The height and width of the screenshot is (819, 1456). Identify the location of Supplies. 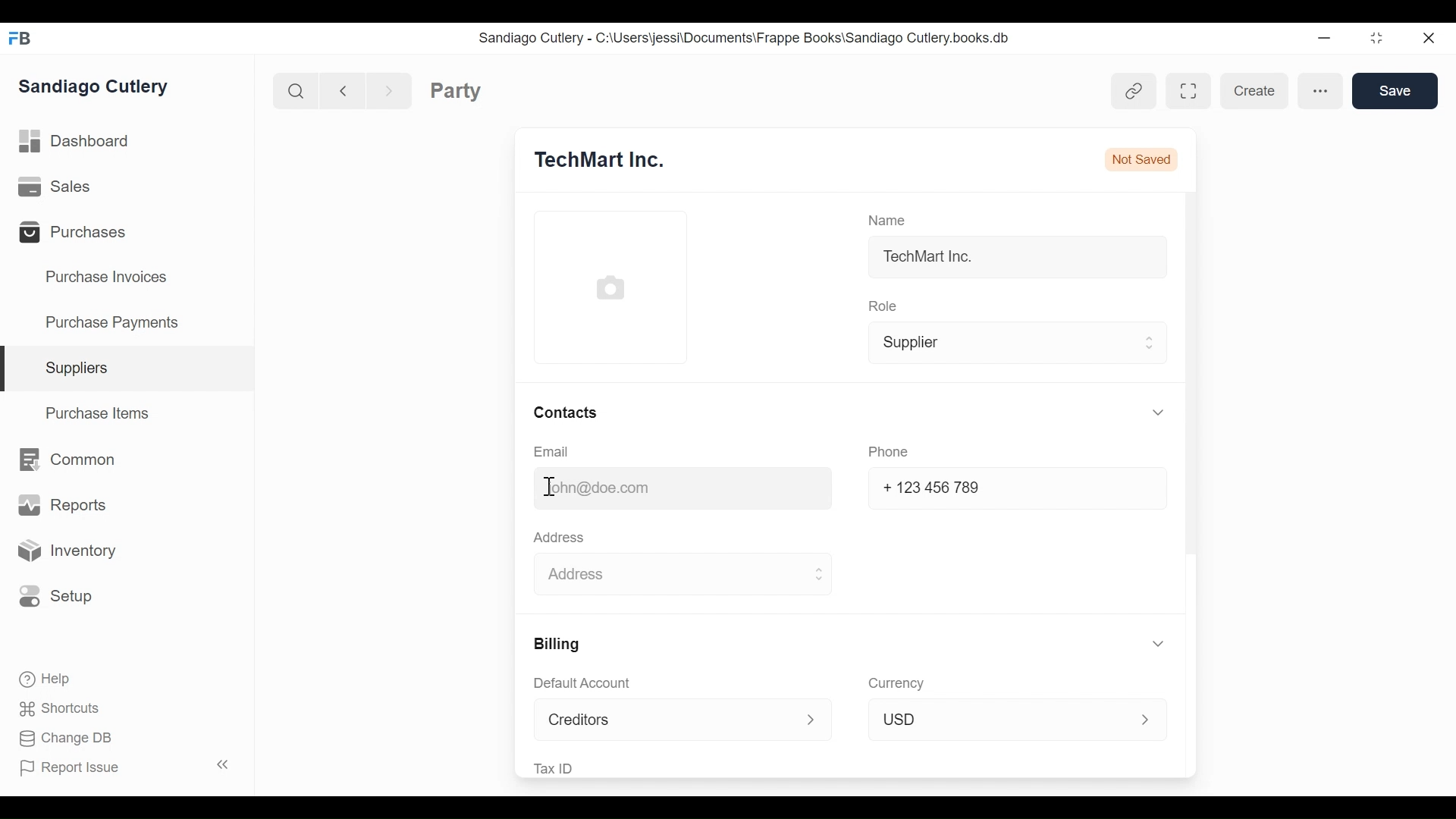
(82, 368).